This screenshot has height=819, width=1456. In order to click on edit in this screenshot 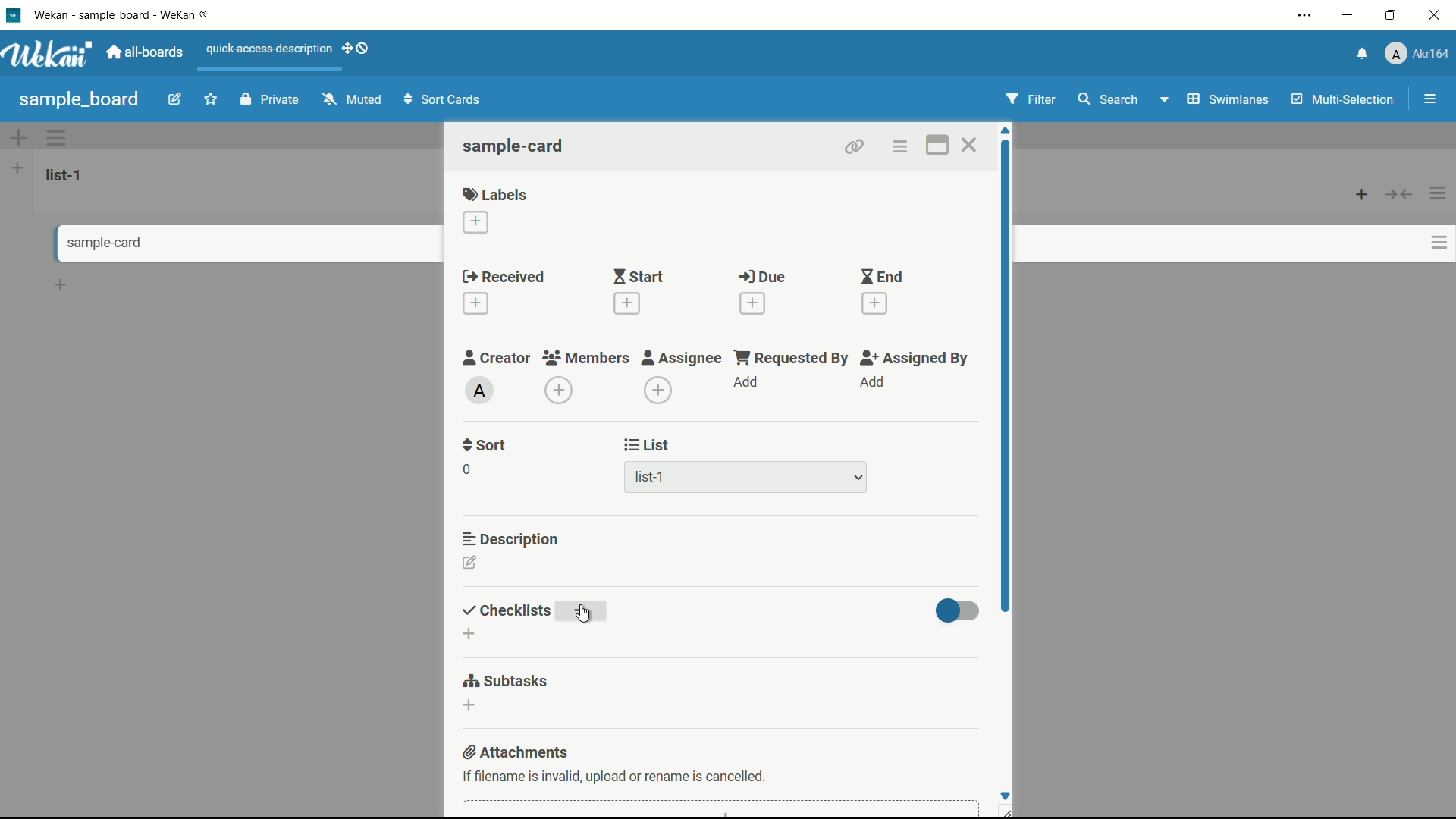, I will do `click(175, 101)`.